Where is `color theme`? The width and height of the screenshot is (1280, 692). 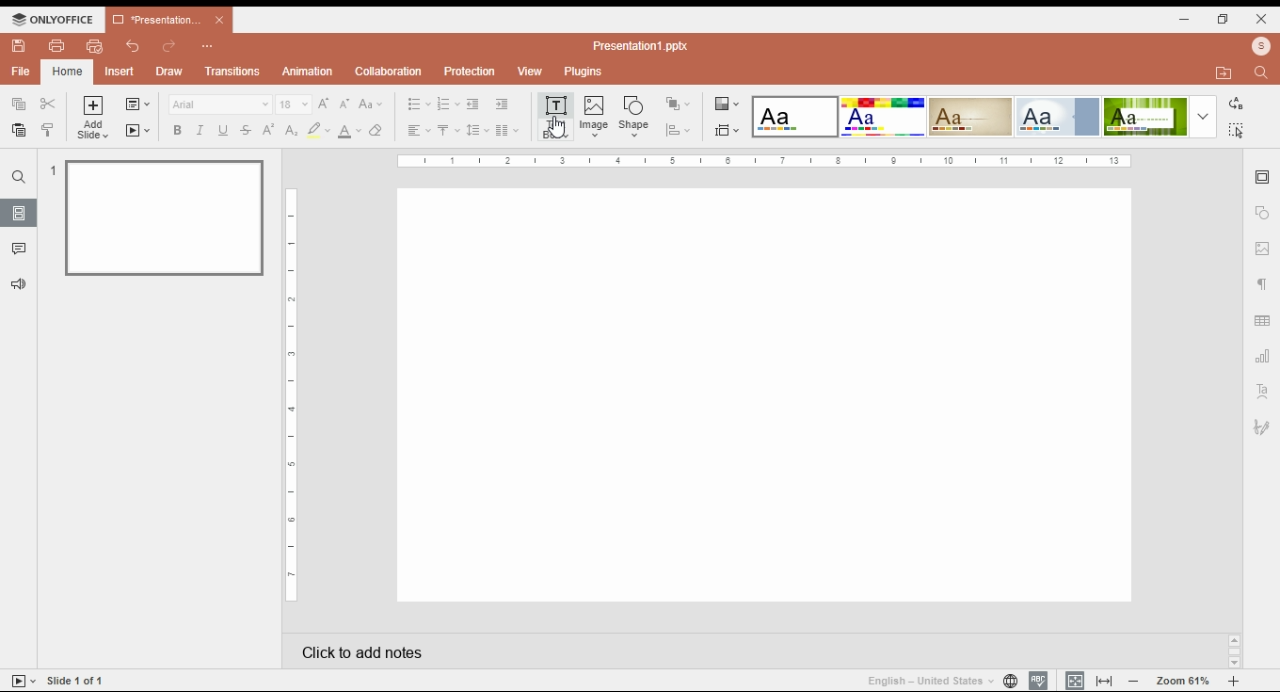 color theme is located at coordinates (971, 116).